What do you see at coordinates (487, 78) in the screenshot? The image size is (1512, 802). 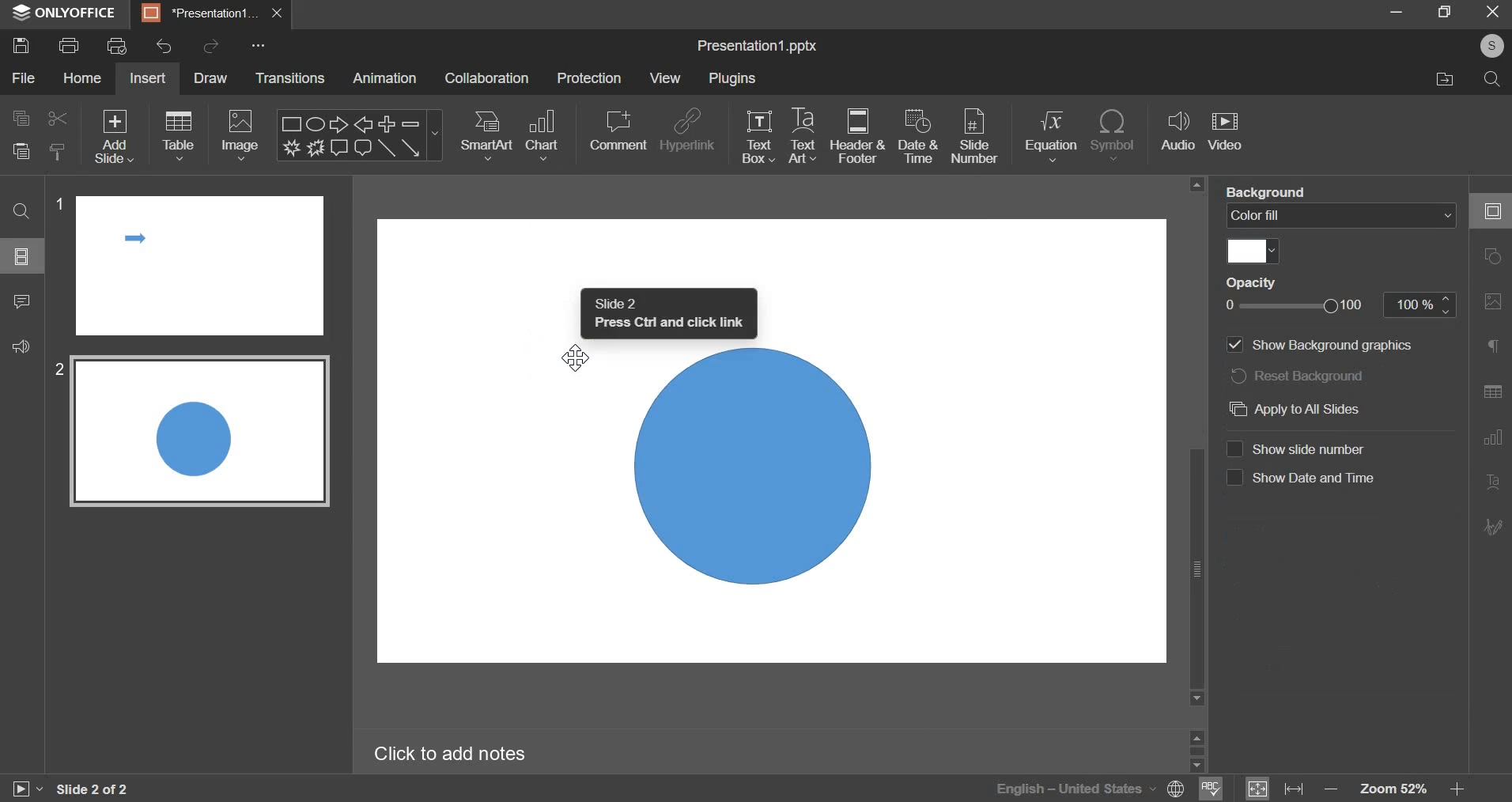 I see `collaboration` at bounding box center [487, 78].